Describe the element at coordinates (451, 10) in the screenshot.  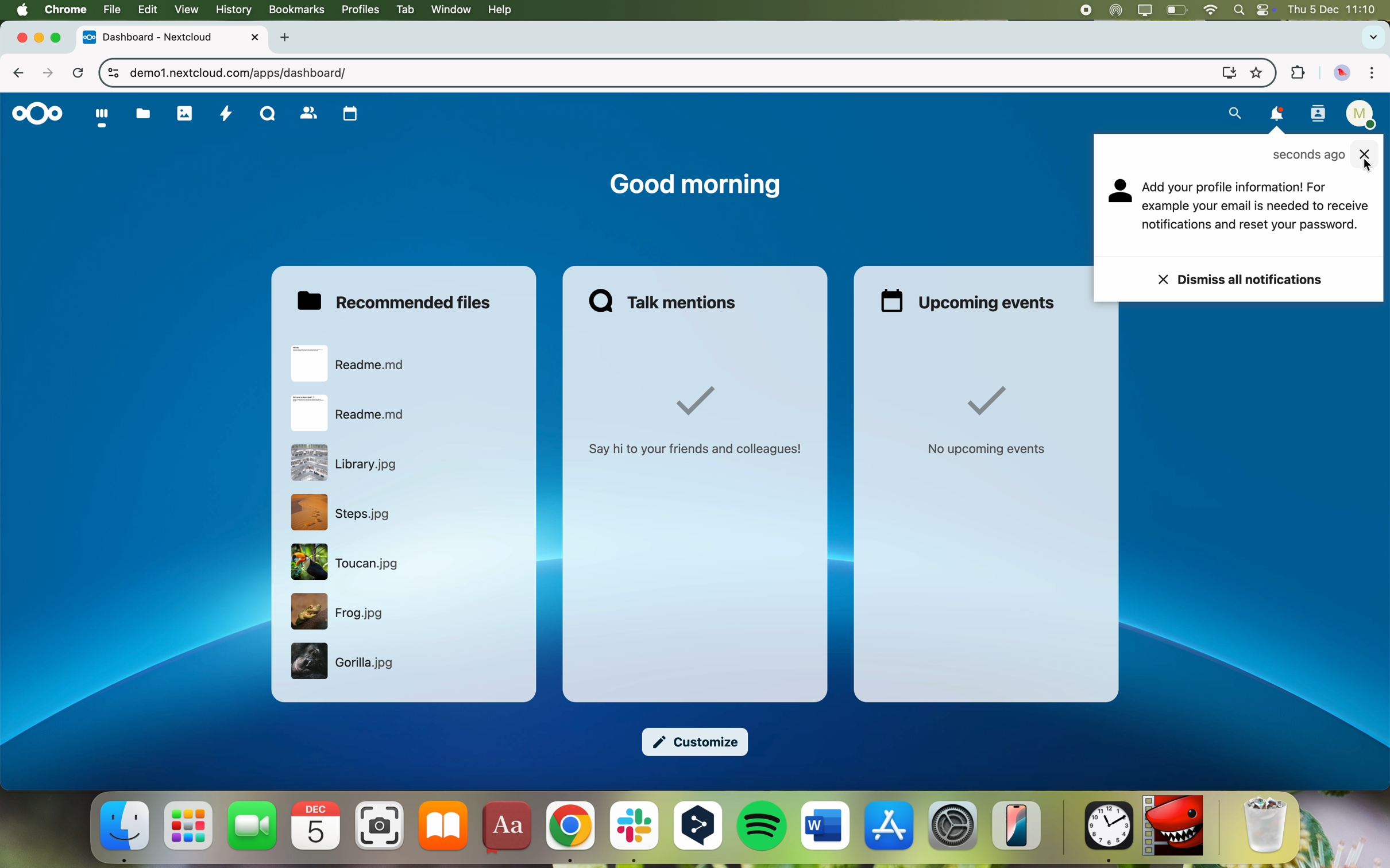
I see `window` at that location.